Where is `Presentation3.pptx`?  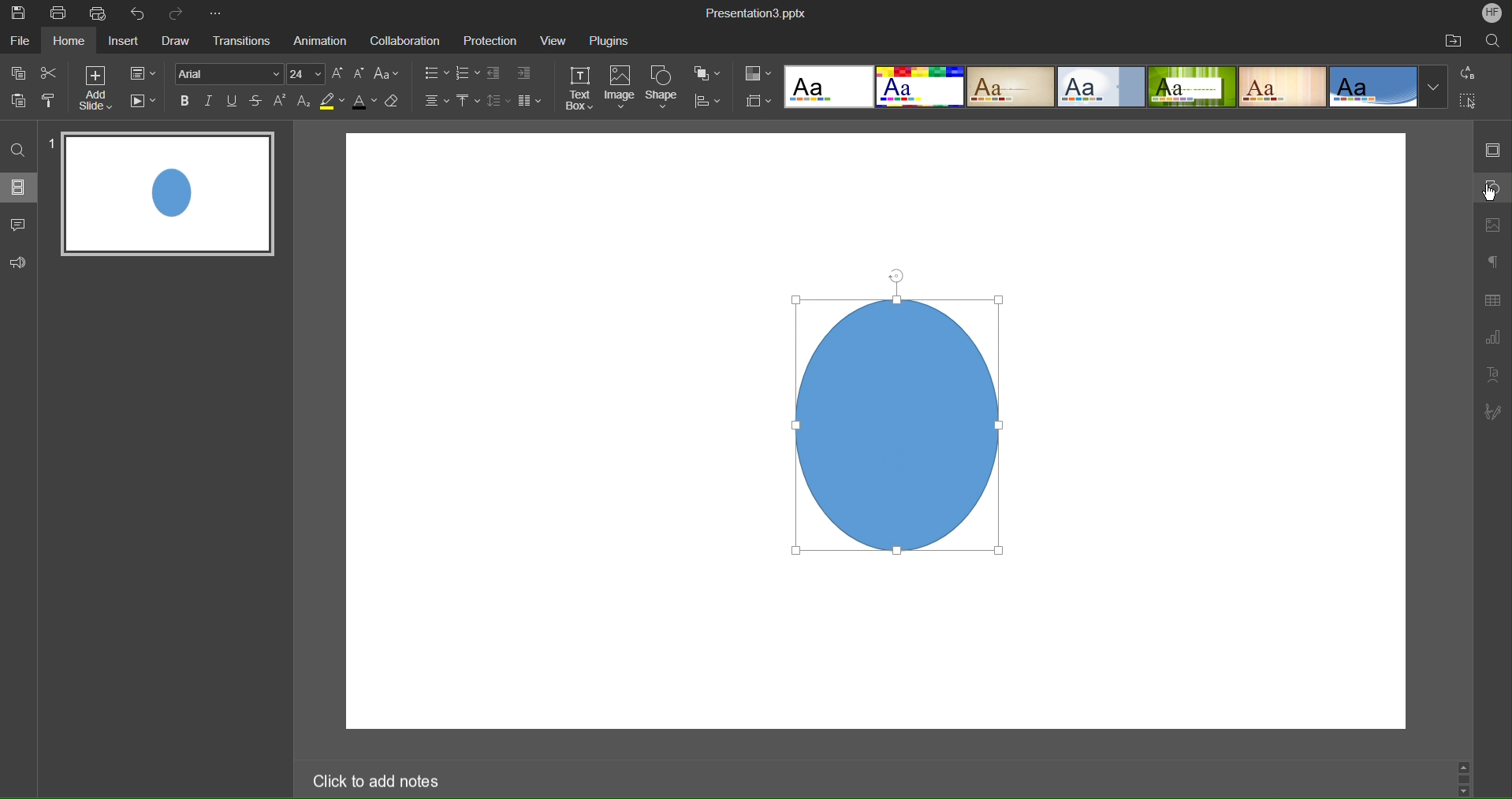 Presentation3.pptx is located at coordinates (754, 13).